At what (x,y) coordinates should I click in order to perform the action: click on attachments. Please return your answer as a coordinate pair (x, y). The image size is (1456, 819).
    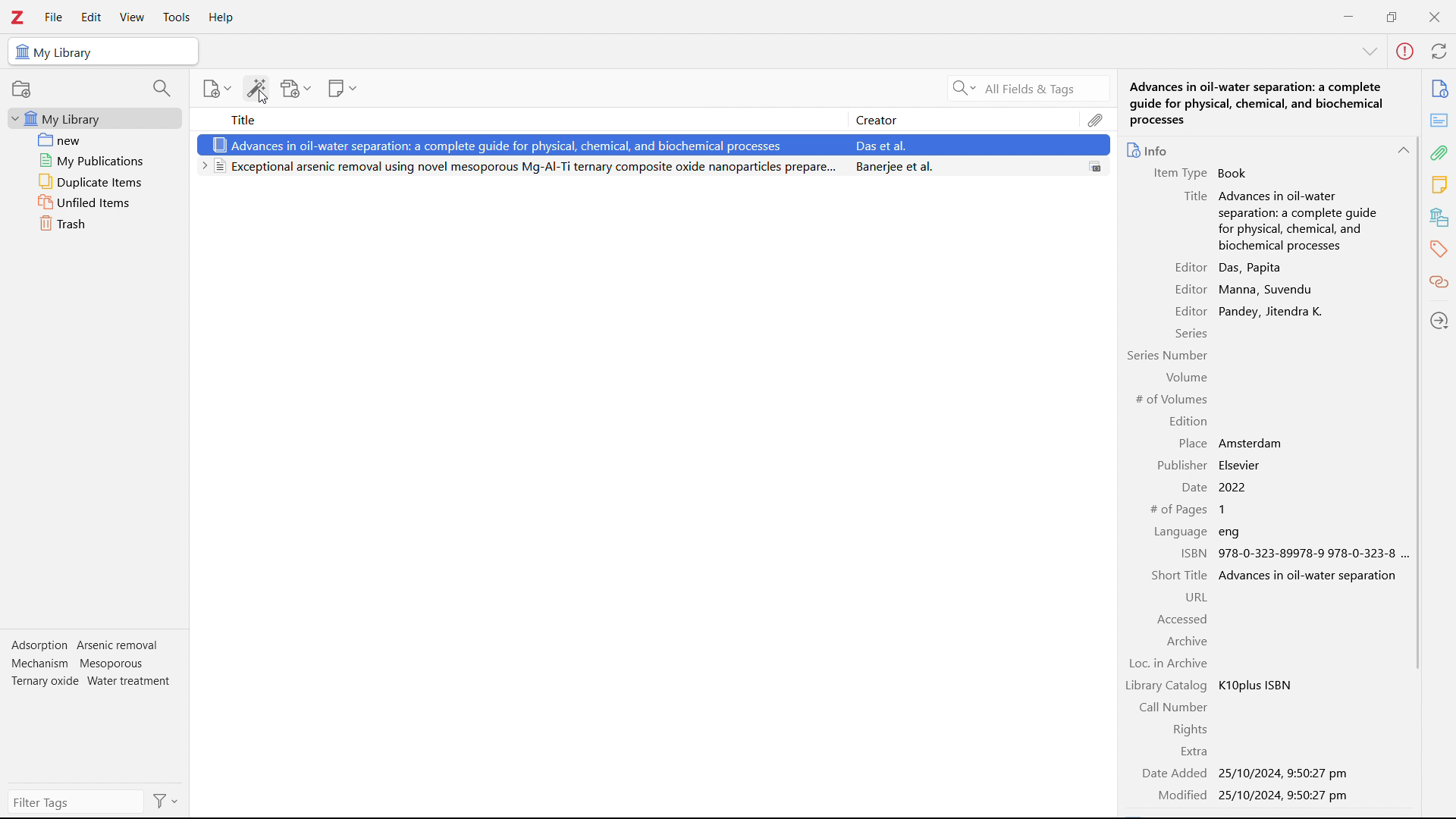
    Looking at the image, I should click on (1096, 119).